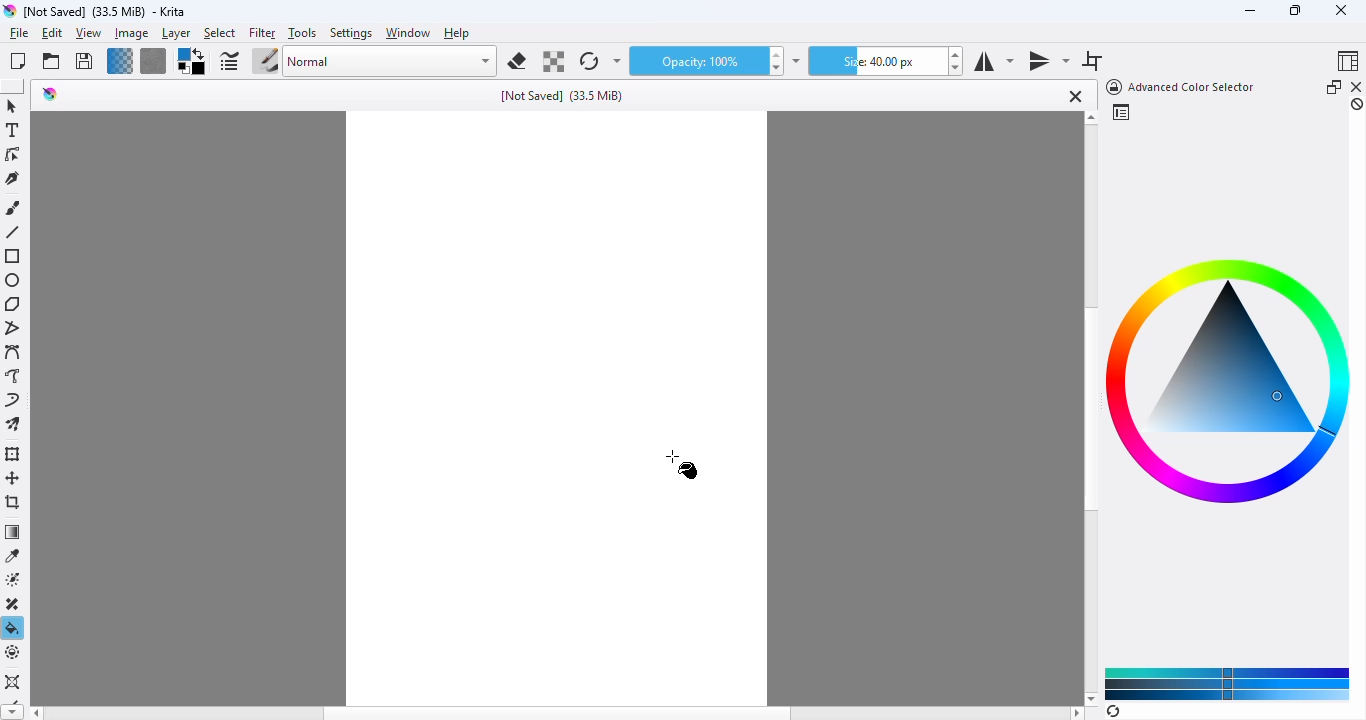  What do you see at coordinates (14, 281) in the screenshot?
I see `ellipse tool` at bounding box center [14, 281].